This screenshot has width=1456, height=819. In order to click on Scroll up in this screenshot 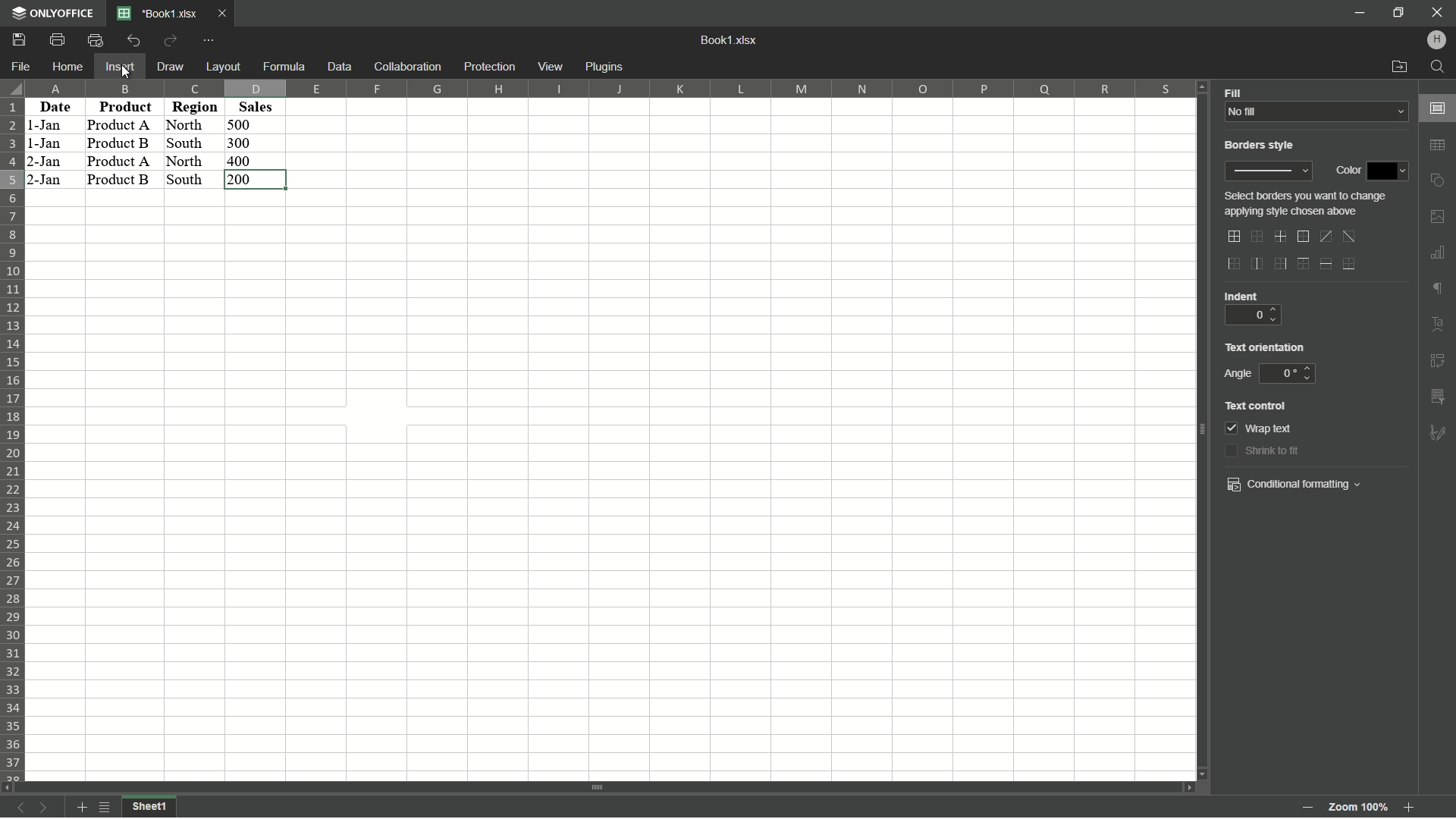, I will do `click(1203, 88)`.